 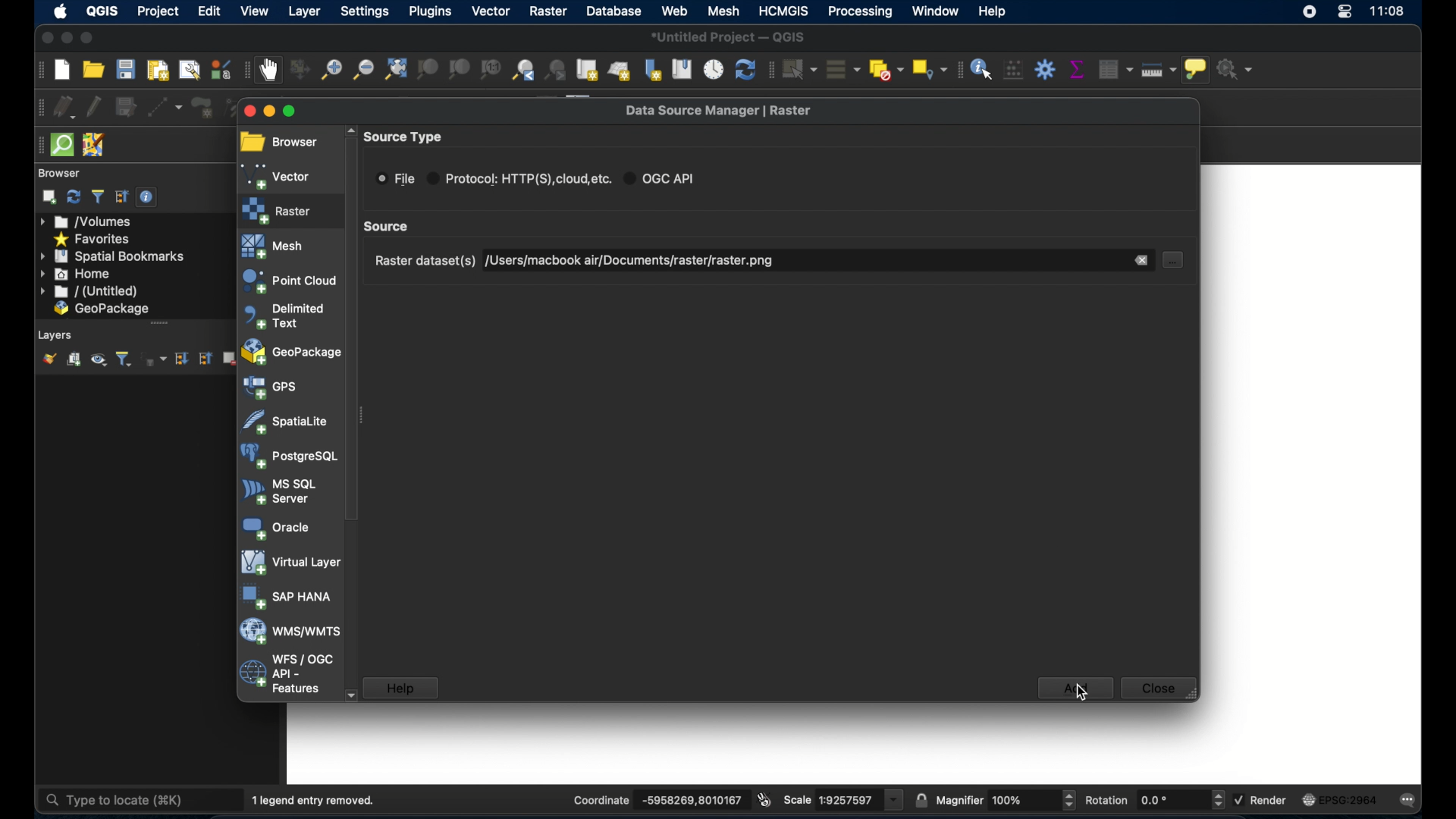 I want to click on new print layout, so click(x=158, y=70).